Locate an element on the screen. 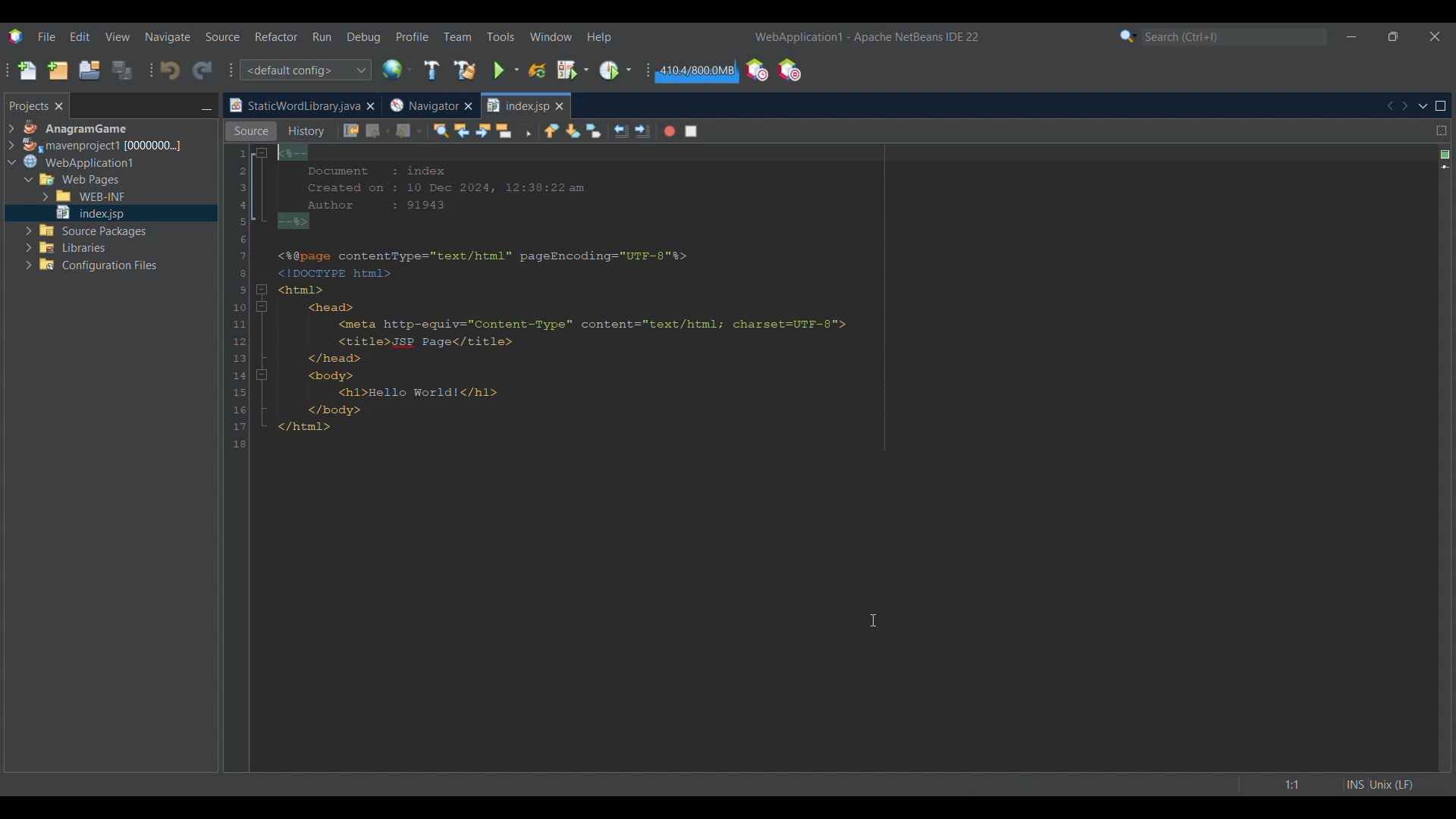 The image size is (1456, 819). Uncomment is located at coordinates (718, 131).